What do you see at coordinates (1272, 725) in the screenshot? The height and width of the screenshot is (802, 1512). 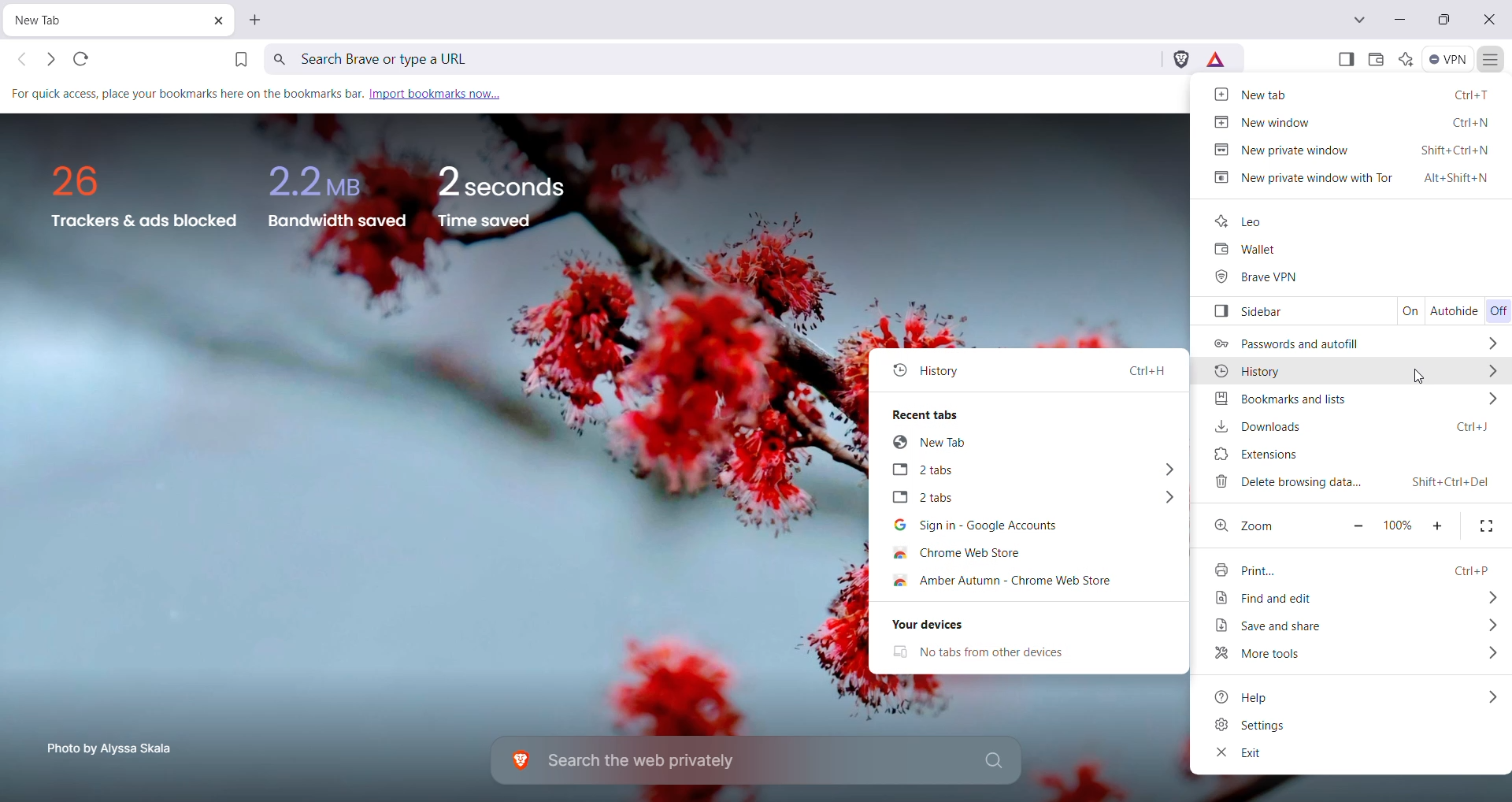 I see `Settings` at bounding box center [1272, 725].